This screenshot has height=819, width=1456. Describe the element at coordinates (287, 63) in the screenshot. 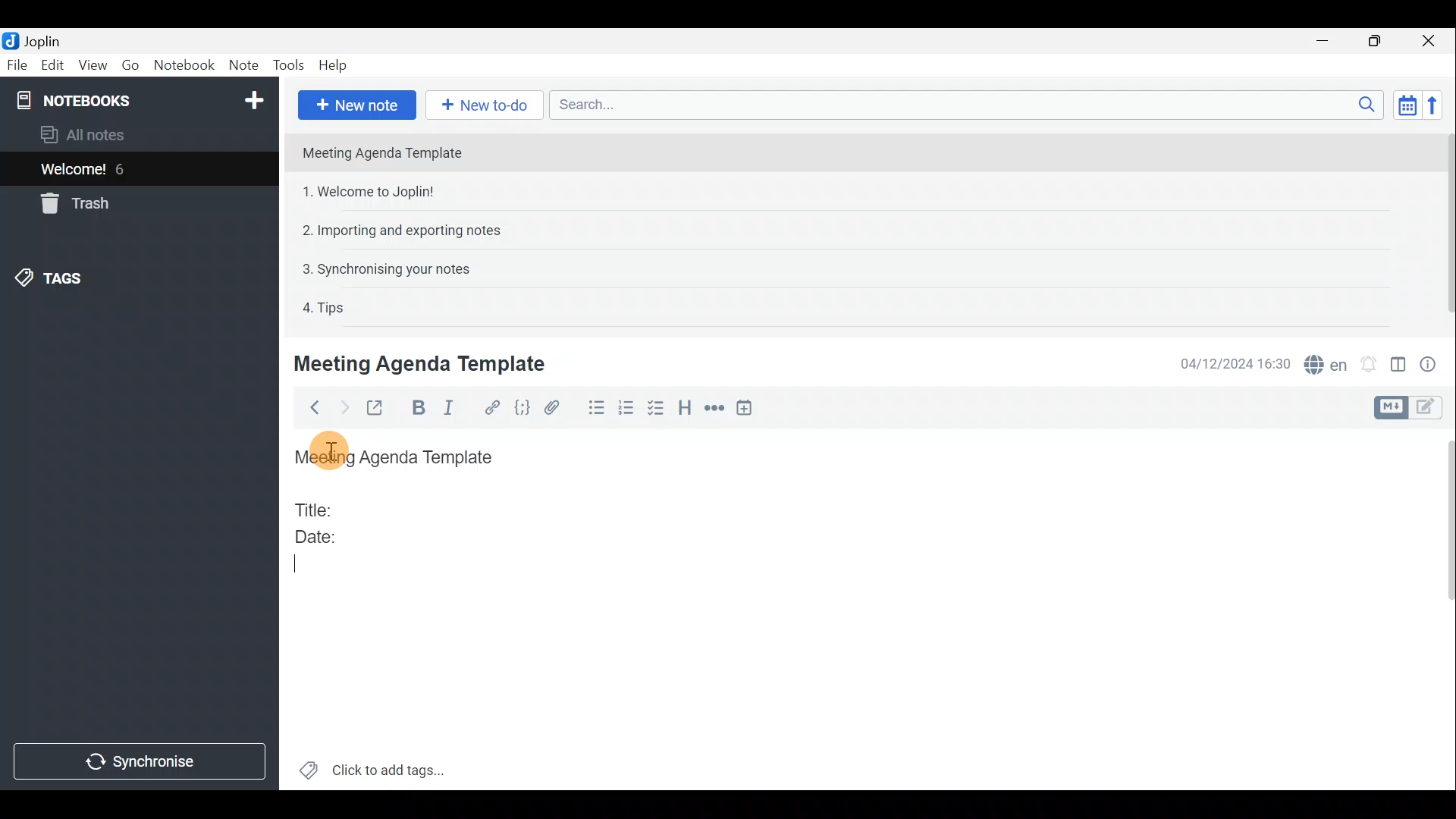

I see `Tools` at that location.